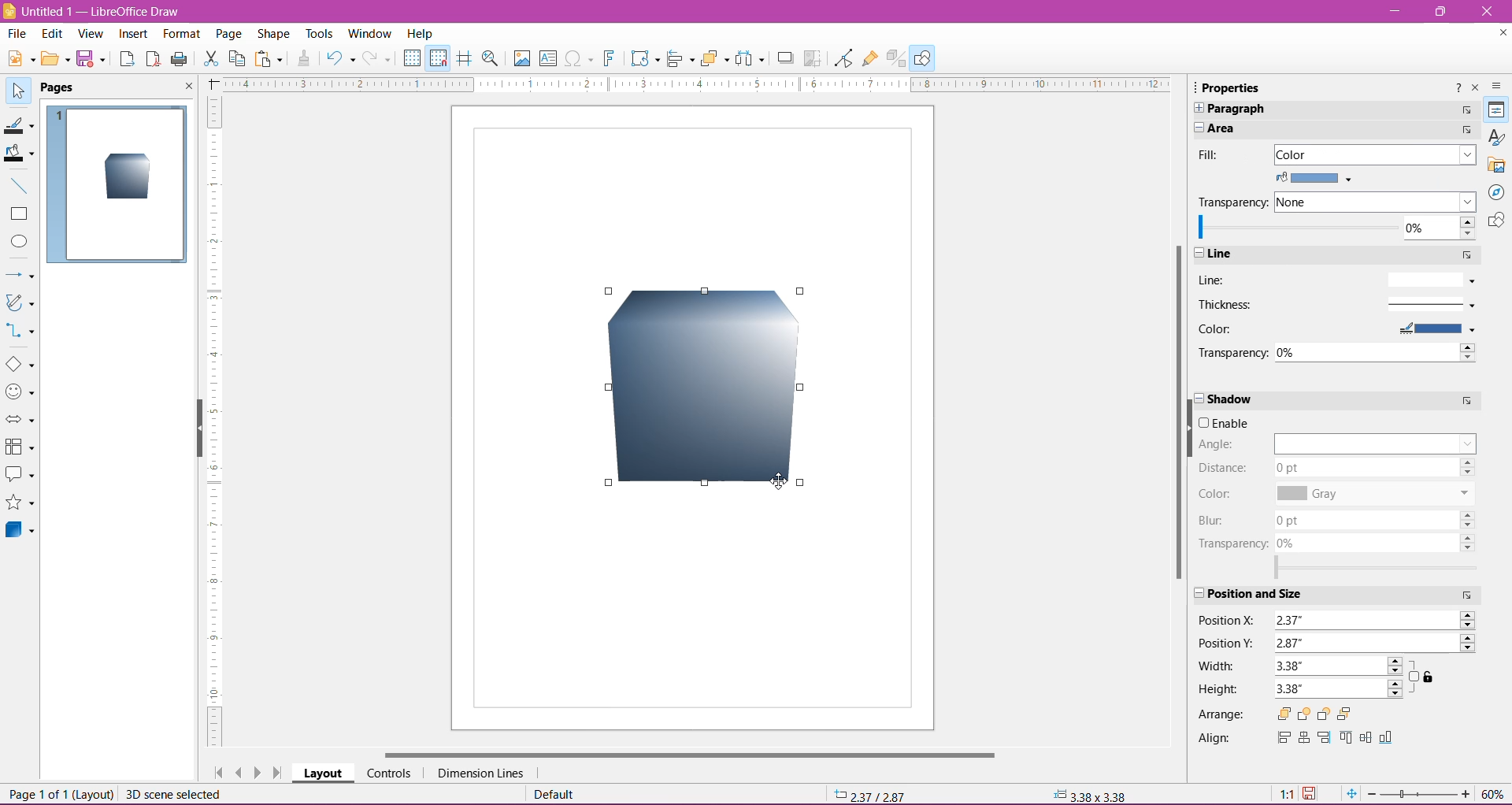 The width and height of the screenshot is (1512, 805). Describe the element at coordinates (687, 755) in the screenshot. I see `Horizontal Scroll Bar` at that location.